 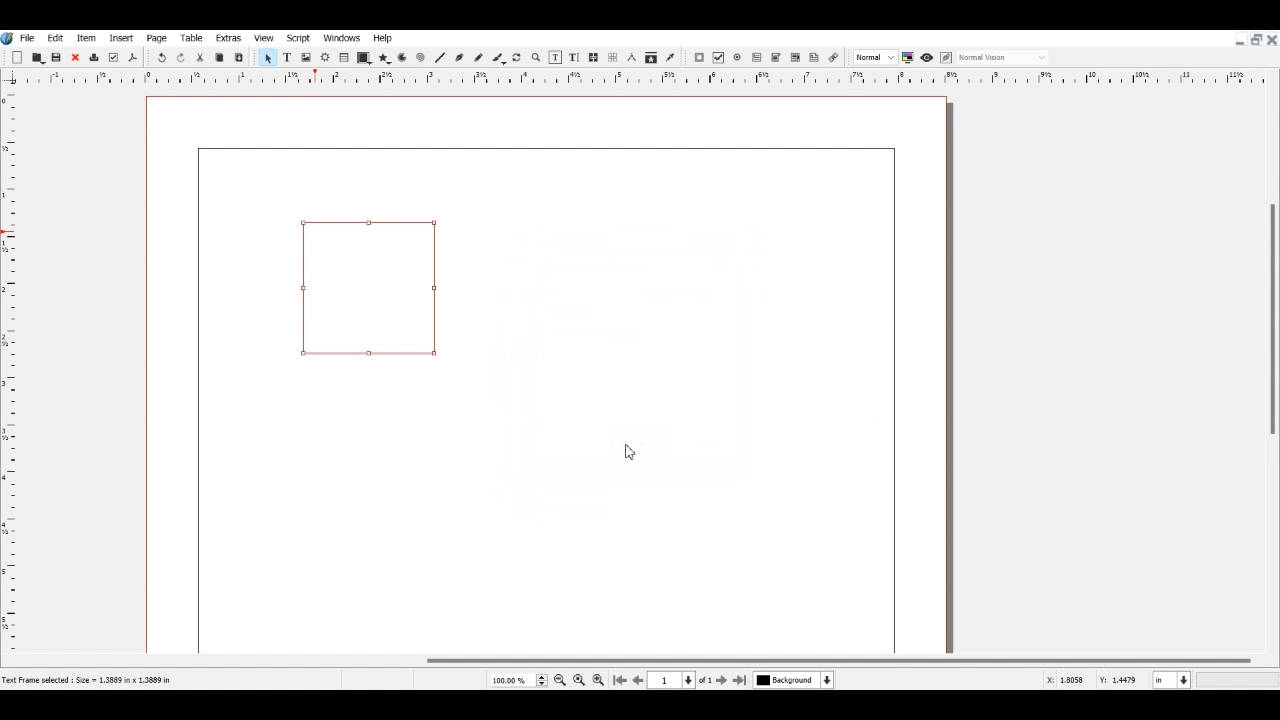 What do you see at coordinates (75, 58) in the screenshot?
I see `Close` at bounding box center [75, 58].